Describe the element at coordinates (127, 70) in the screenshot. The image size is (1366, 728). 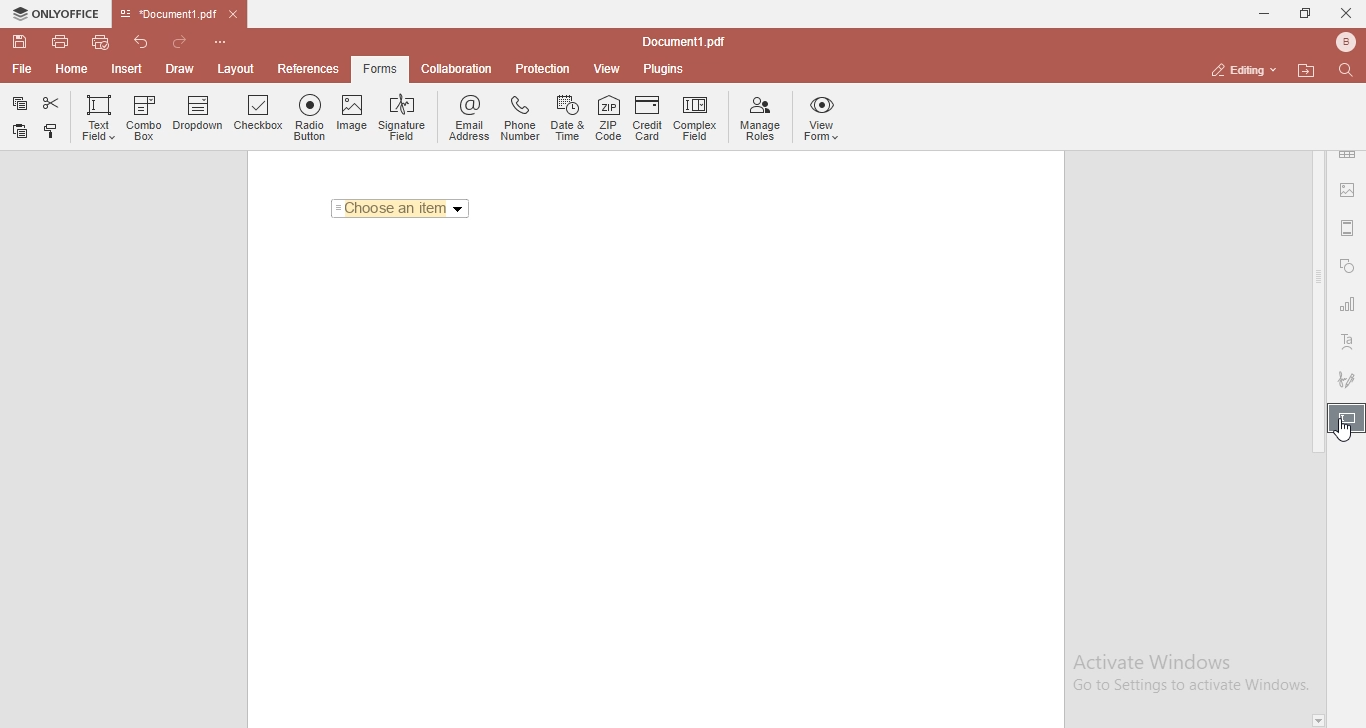
I see `Insert` at that location.